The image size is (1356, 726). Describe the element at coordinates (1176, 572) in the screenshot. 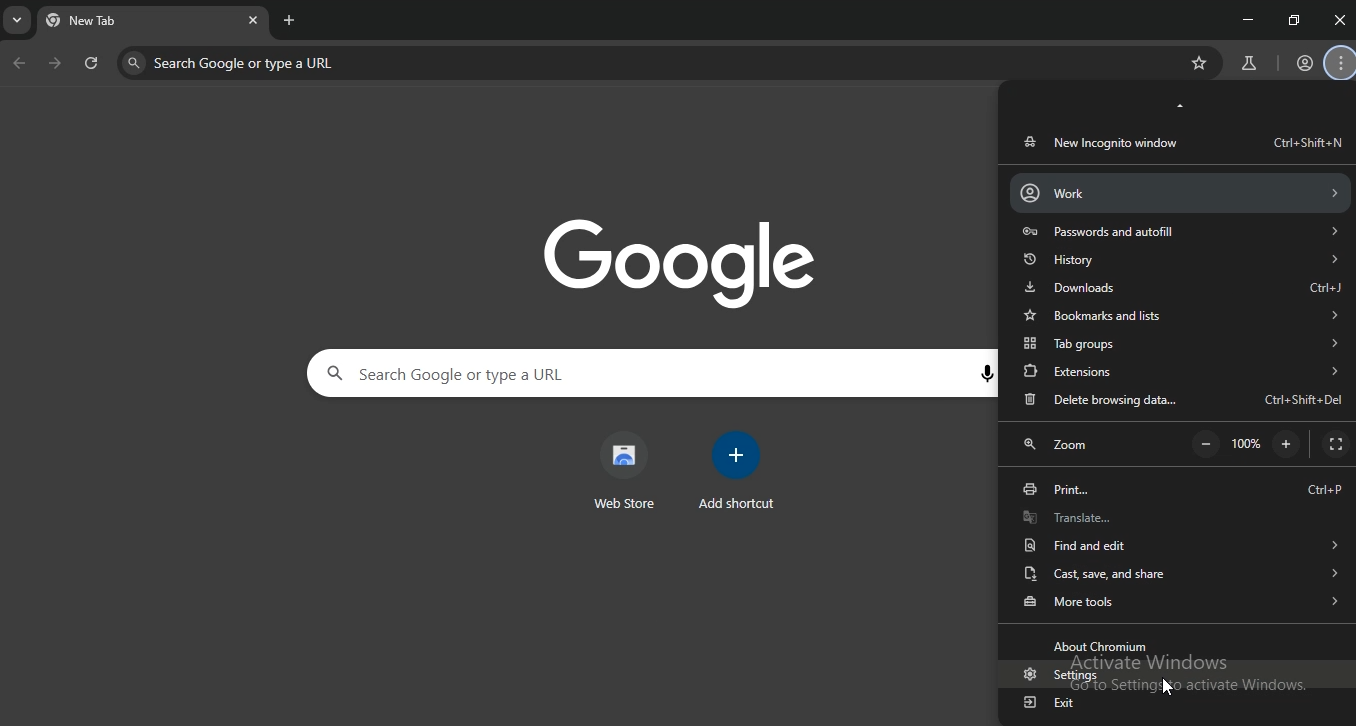

I see `cast save and share` at that location.